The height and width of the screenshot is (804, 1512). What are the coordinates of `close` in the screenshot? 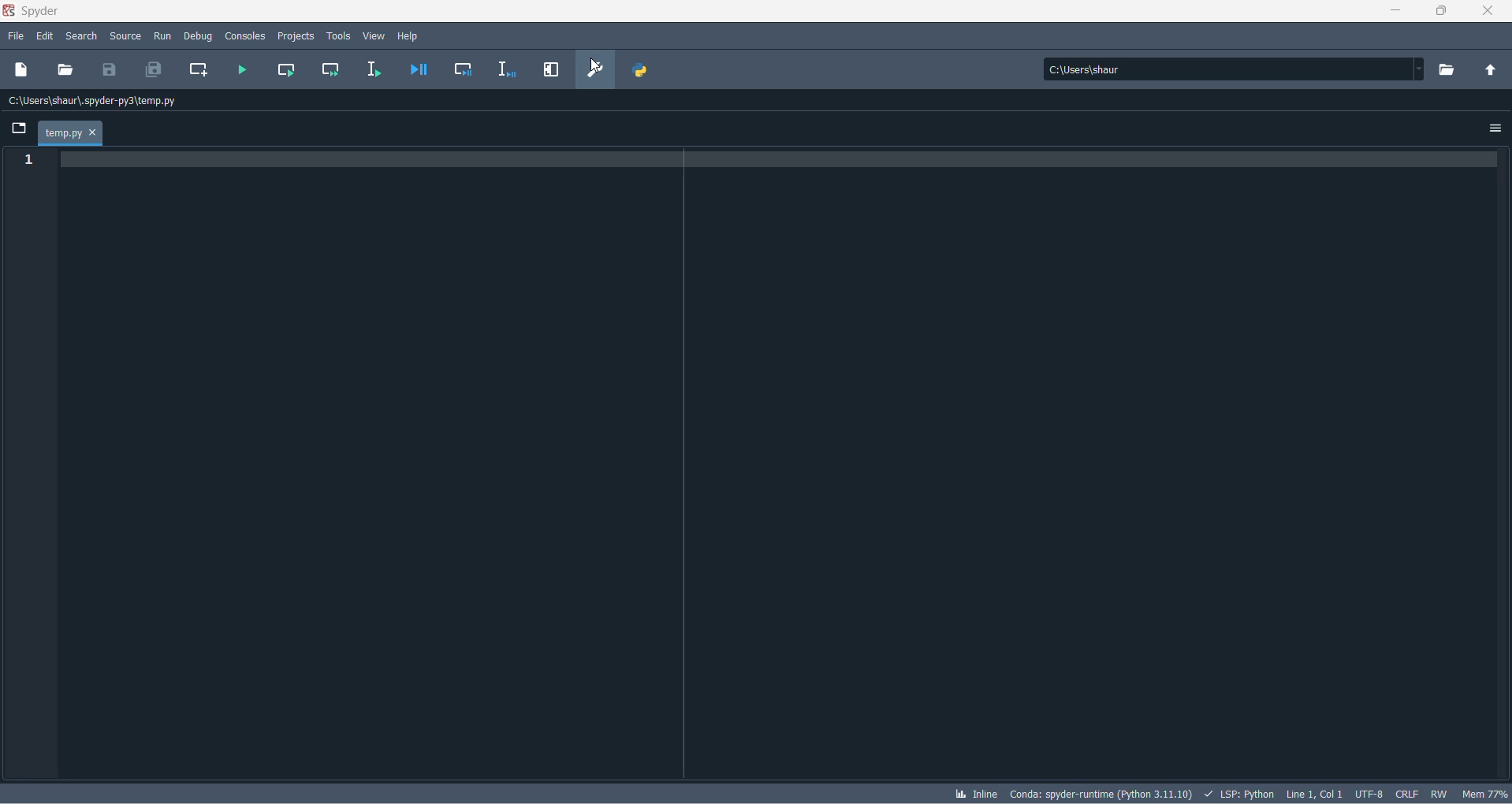 It's located at (1494, 14).